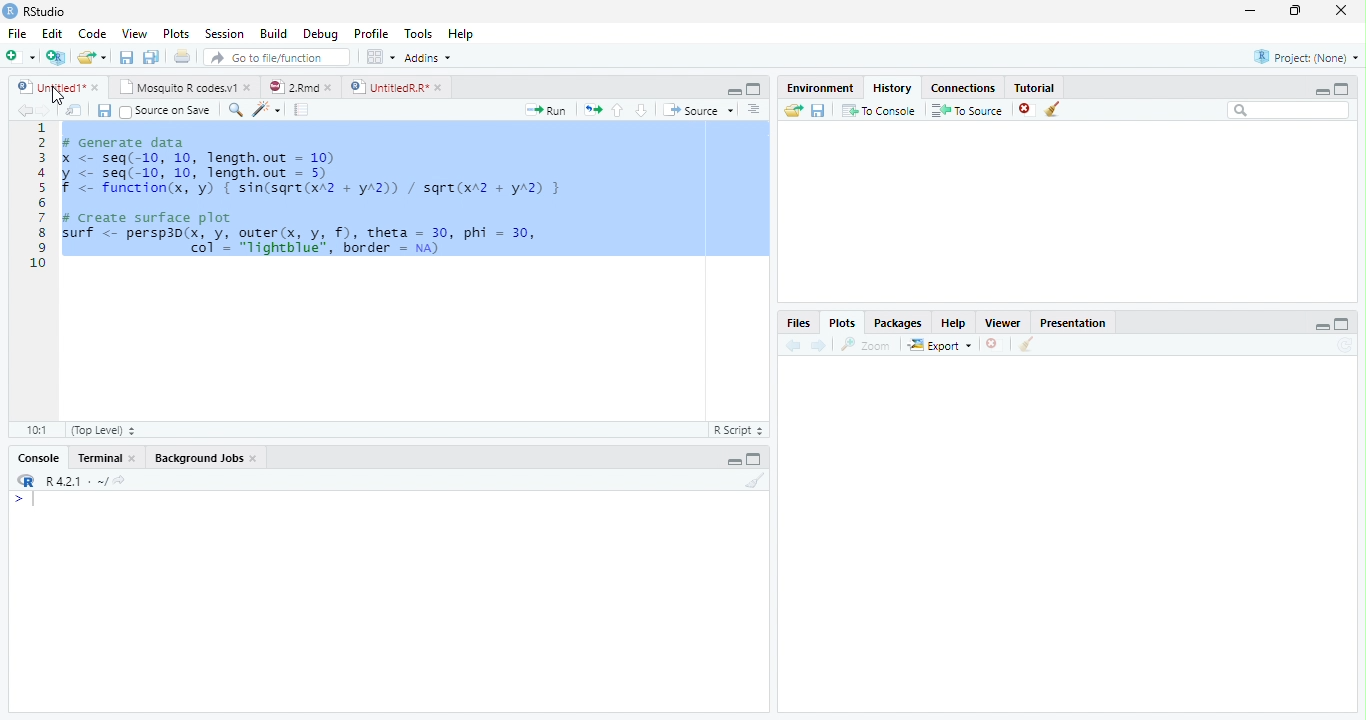 The image size is (1366, 720). Describe the element at coordinates (91, 33) in the screenshot. I see `Code` at that location.